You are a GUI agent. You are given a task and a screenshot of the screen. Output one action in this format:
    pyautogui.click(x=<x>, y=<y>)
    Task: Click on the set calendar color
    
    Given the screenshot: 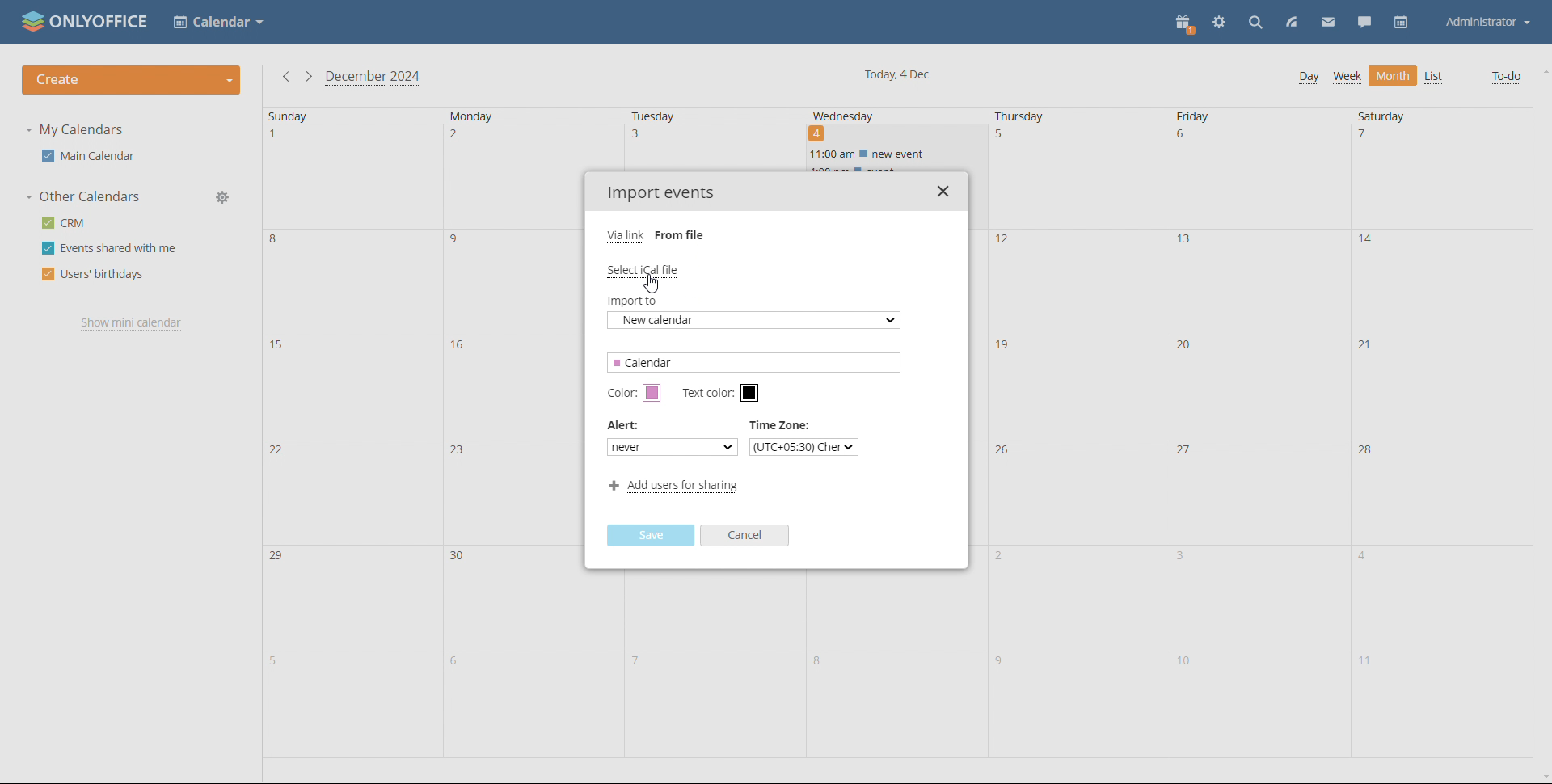 What is the action you would take?
    pyautogui.click(x=654, y=393)
    